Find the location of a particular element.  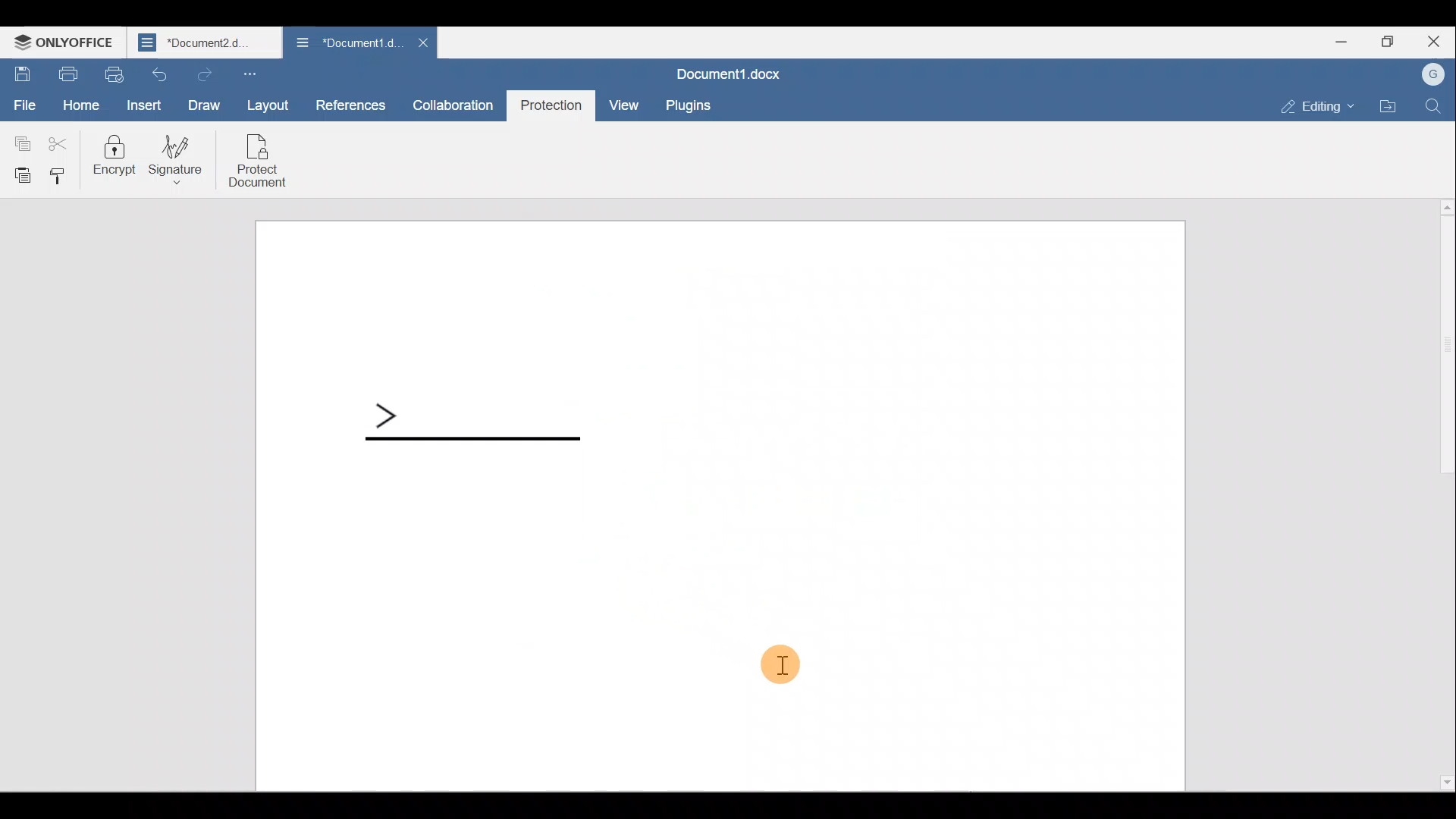

Quick print is located at coordinates (117, 73).